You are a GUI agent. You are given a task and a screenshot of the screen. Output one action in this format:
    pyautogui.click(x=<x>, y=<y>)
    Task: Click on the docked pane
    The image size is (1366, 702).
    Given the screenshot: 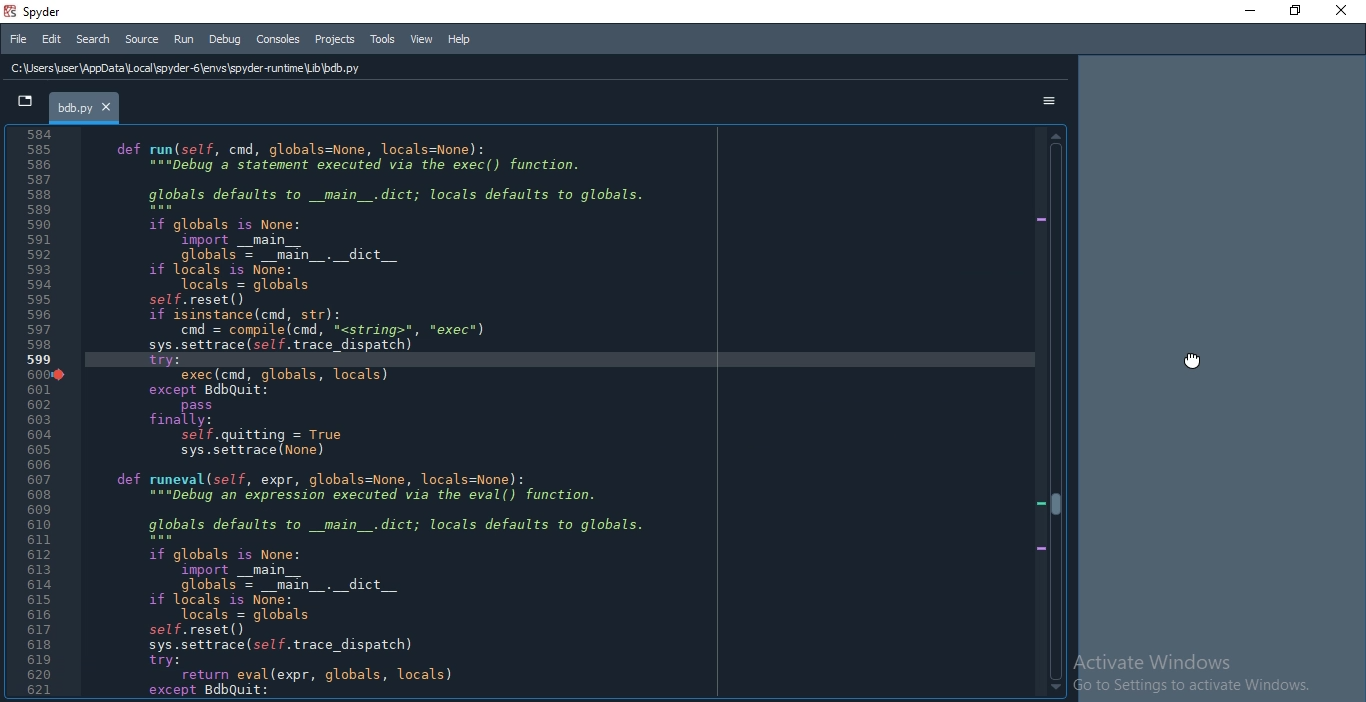 What is the action you would take?
    pyautogui.click(x=1218, y=379)
    